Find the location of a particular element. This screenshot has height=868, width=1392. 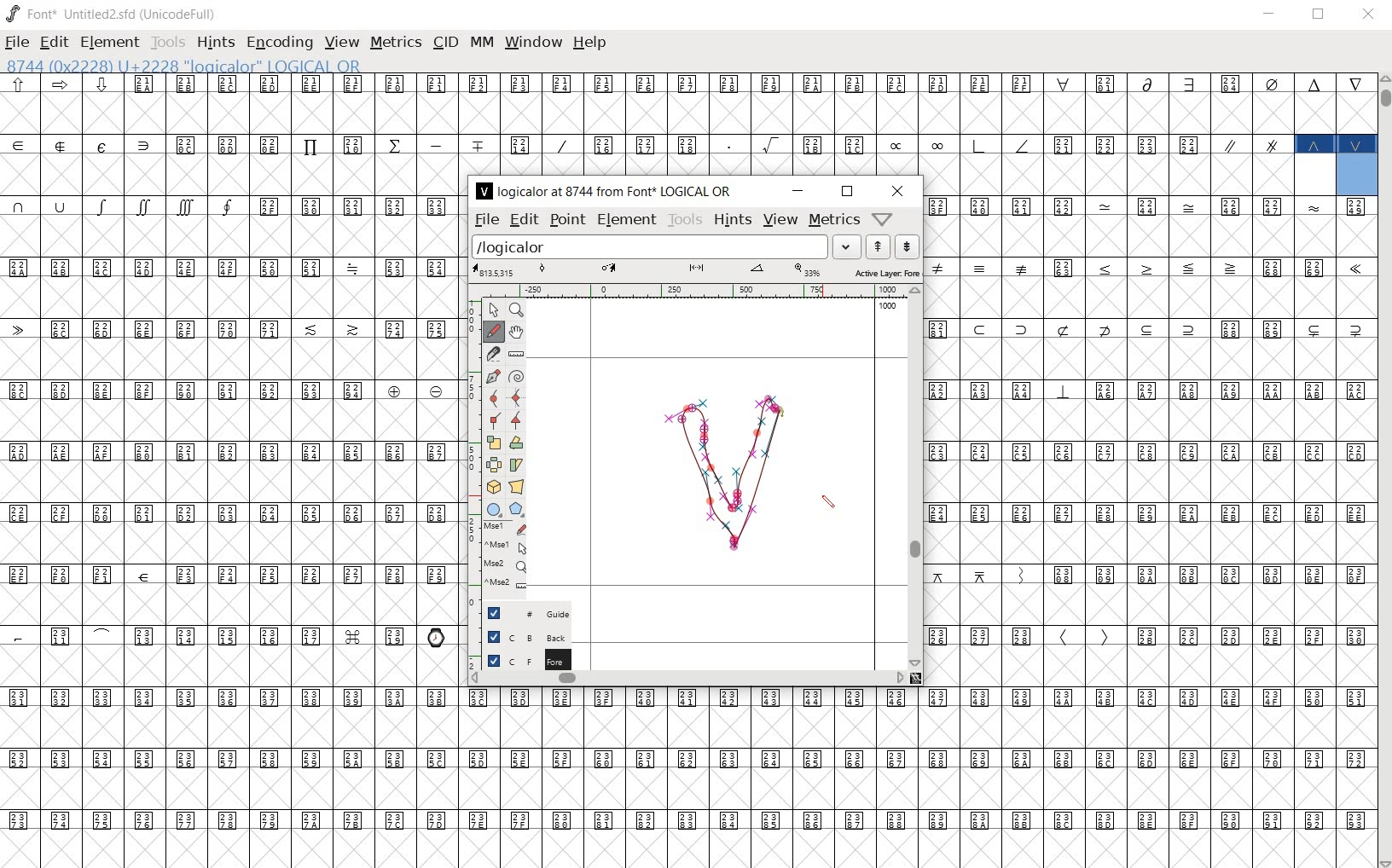

Rotate the selection is located at coordinates (515, 466).